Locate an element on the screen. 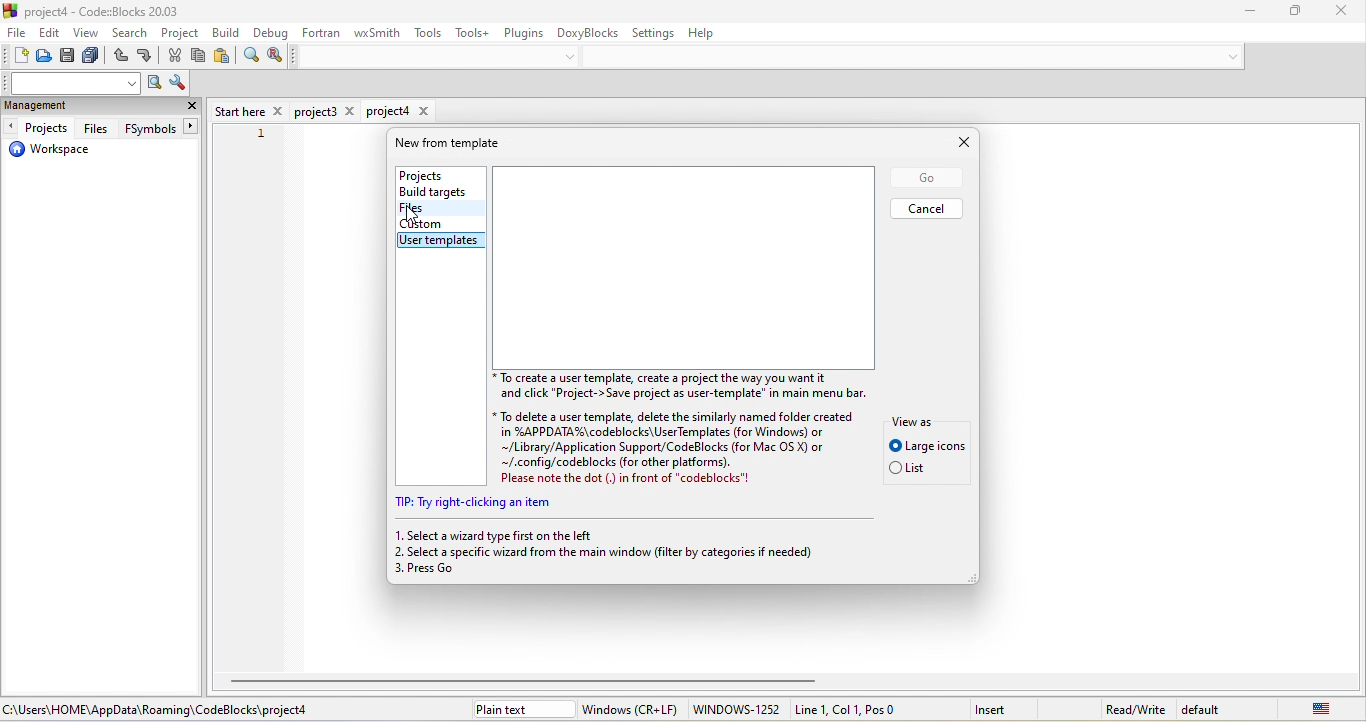  run search is located at coordinates (154, 84).